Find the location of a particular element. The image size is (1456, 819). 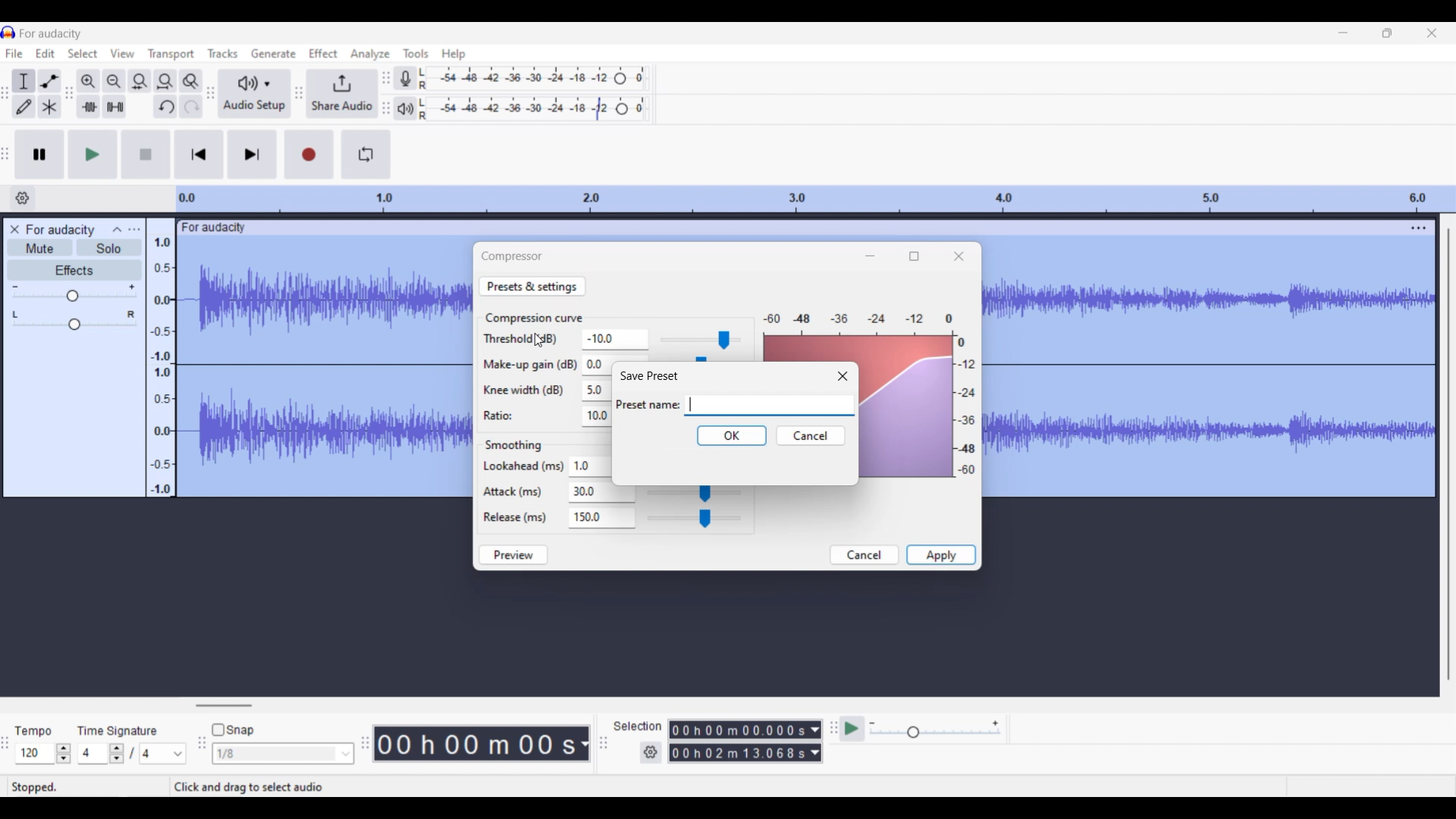

Playback meter is located at coordinates (405, 109).